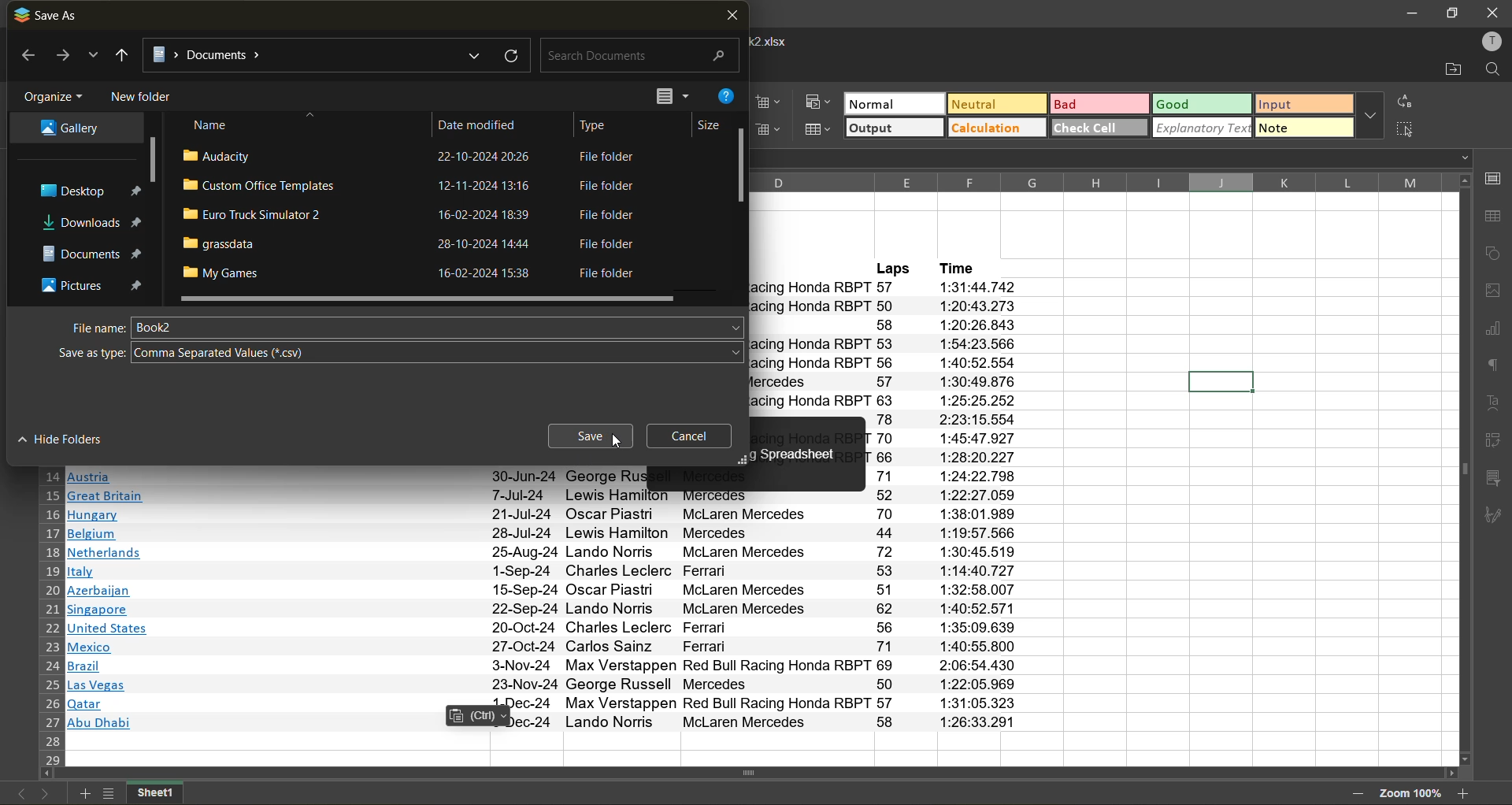  Describe the element at coordinates (545, 476) in the screenshot. I see `text info` at that location.